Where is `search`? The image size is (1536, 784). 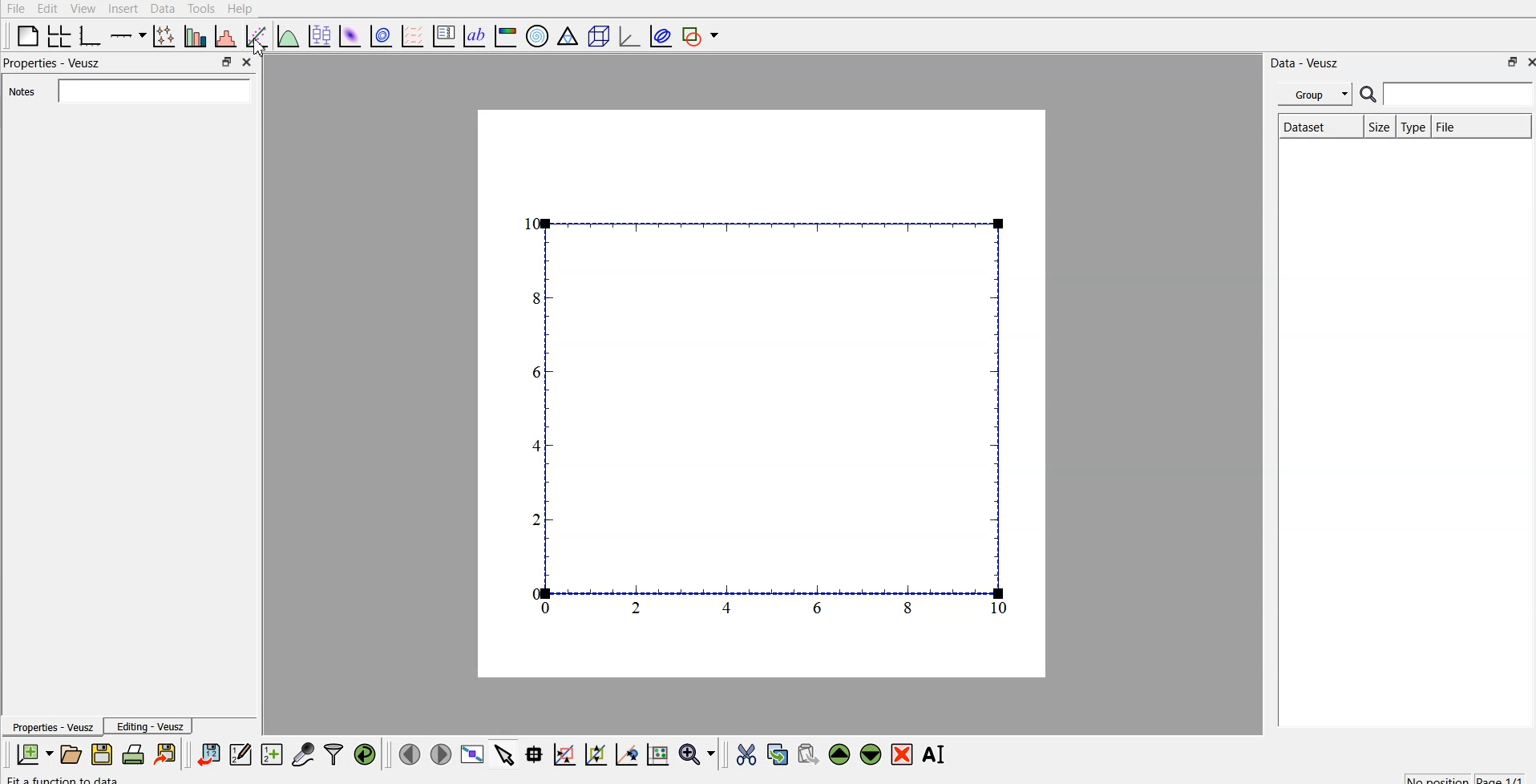 search is located at coordinates (1368, 95).